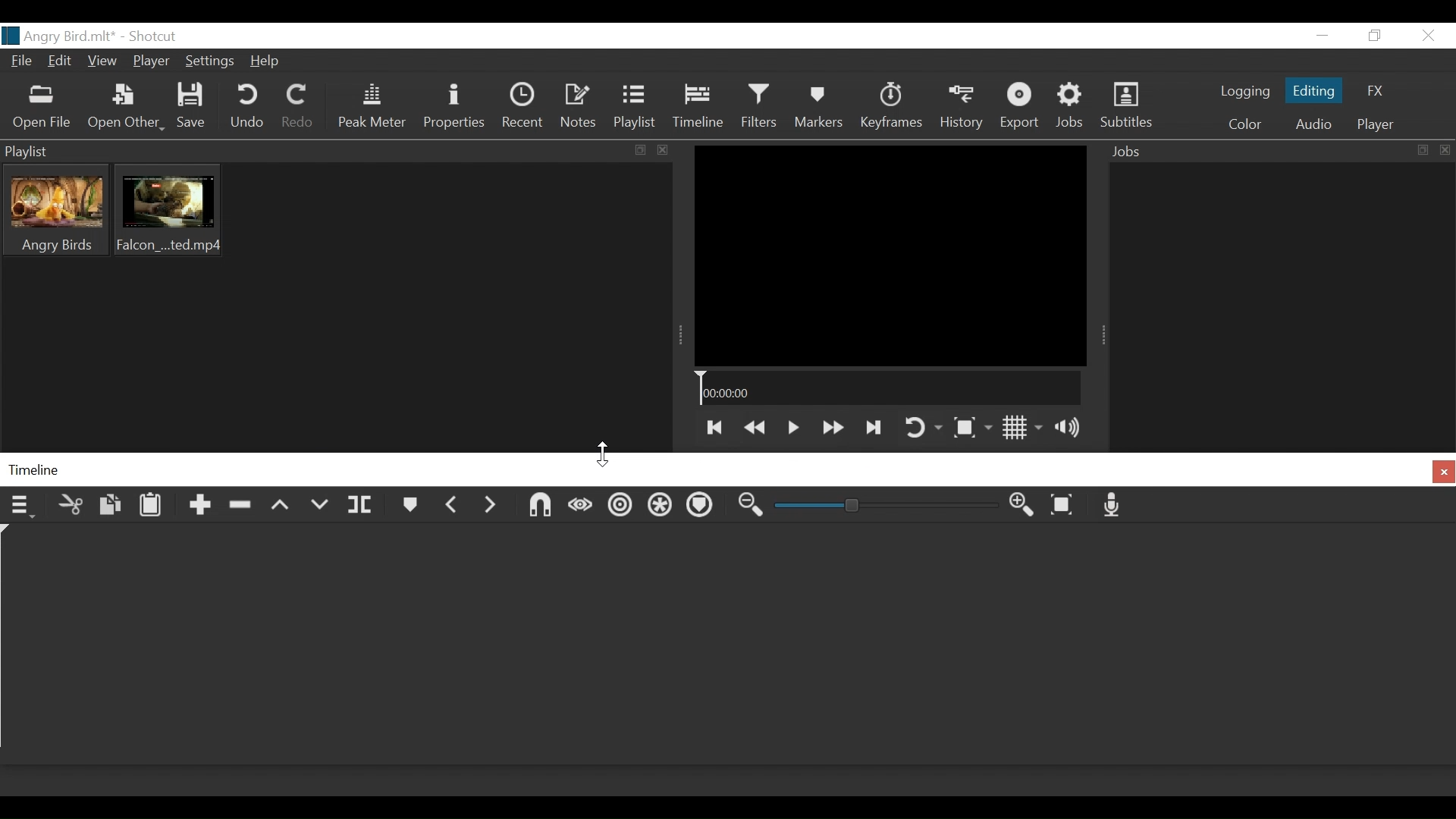  What do you see at coordinates (1312, 125) in the screenshot?
I see `Audio` at bounding box center [1312, 125].